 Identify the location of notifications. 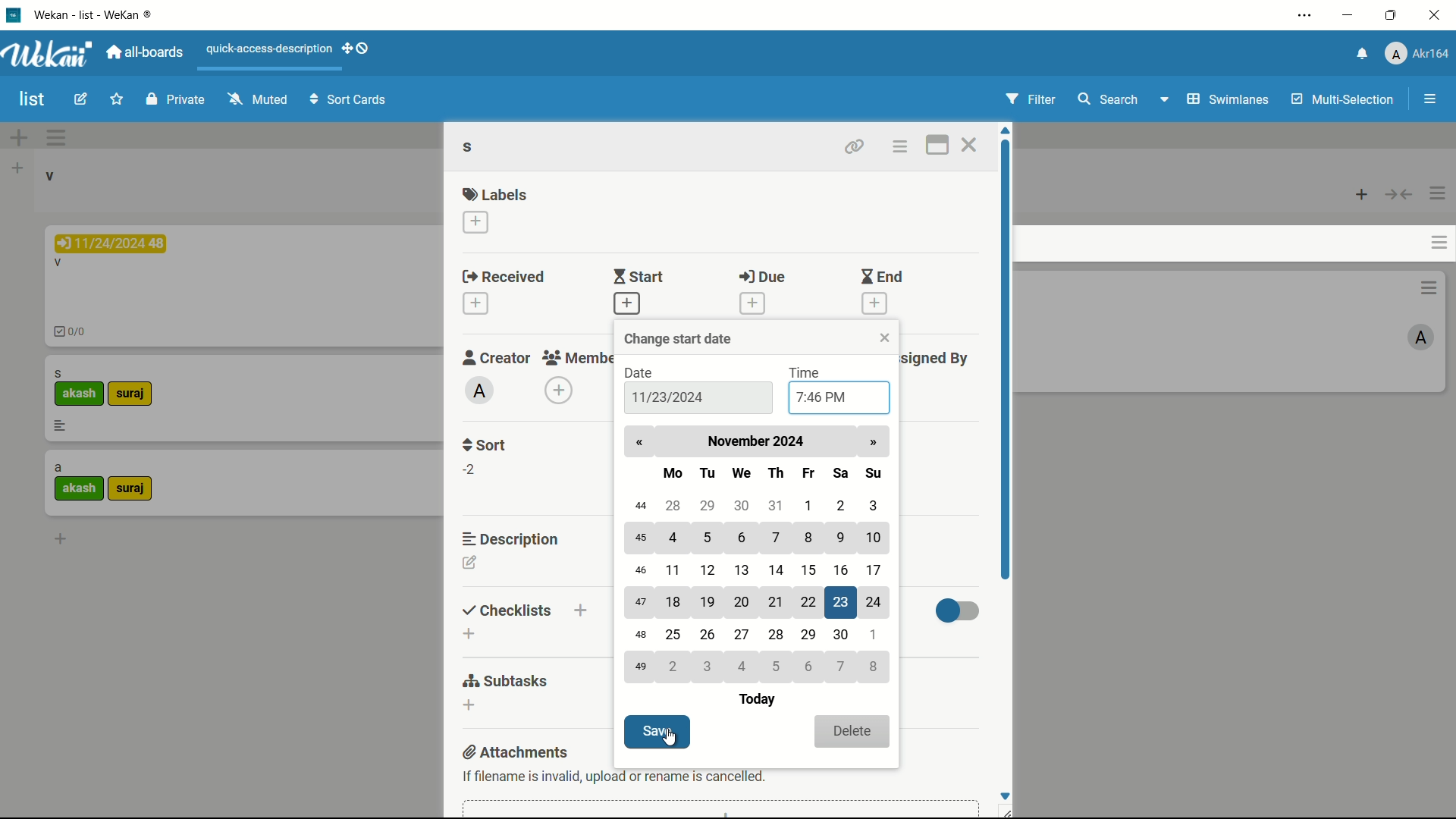
(1363, 52).